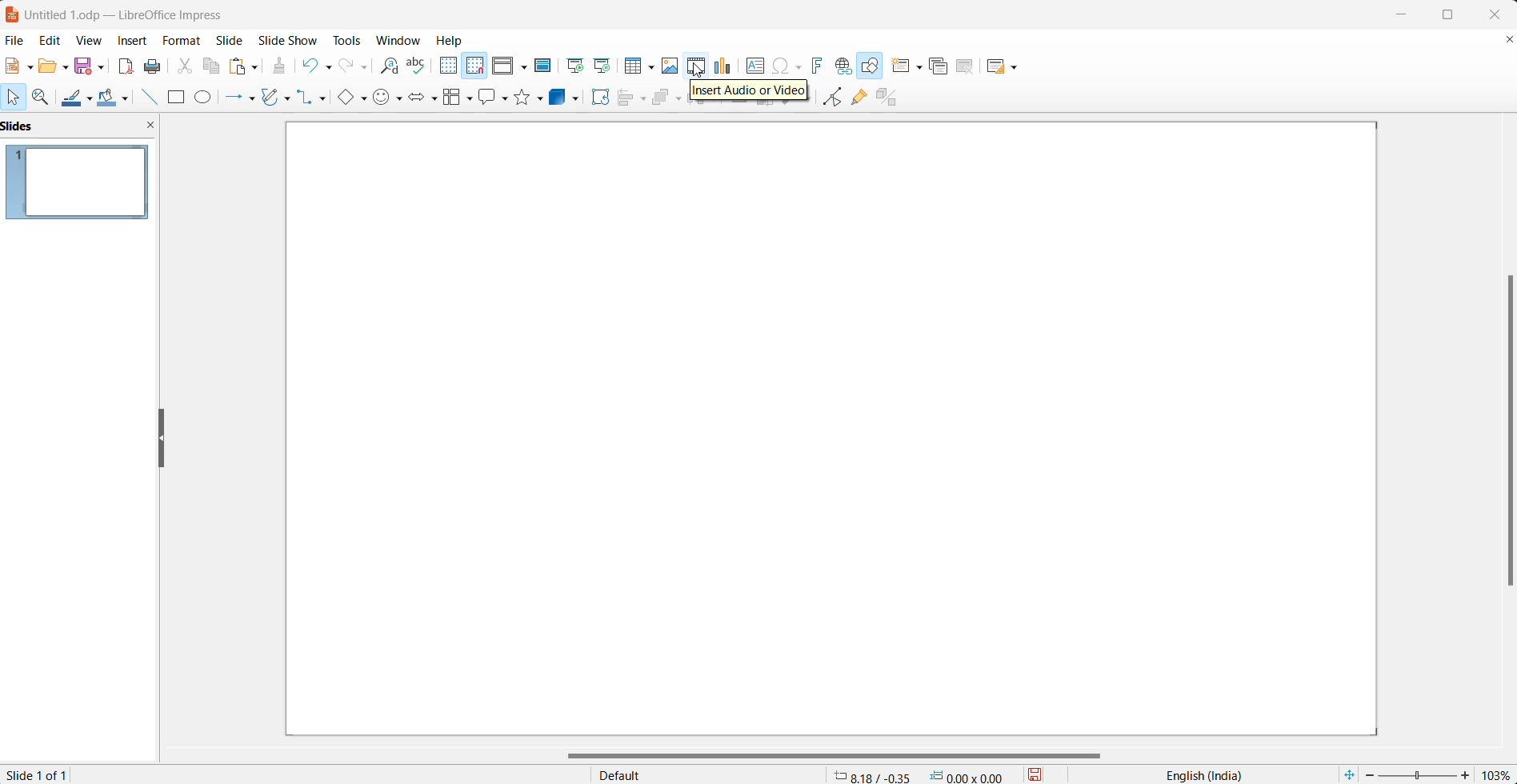 The width and height of the screenshot is (1517, 784). I want to click on snap to grid, so click(478, 66).